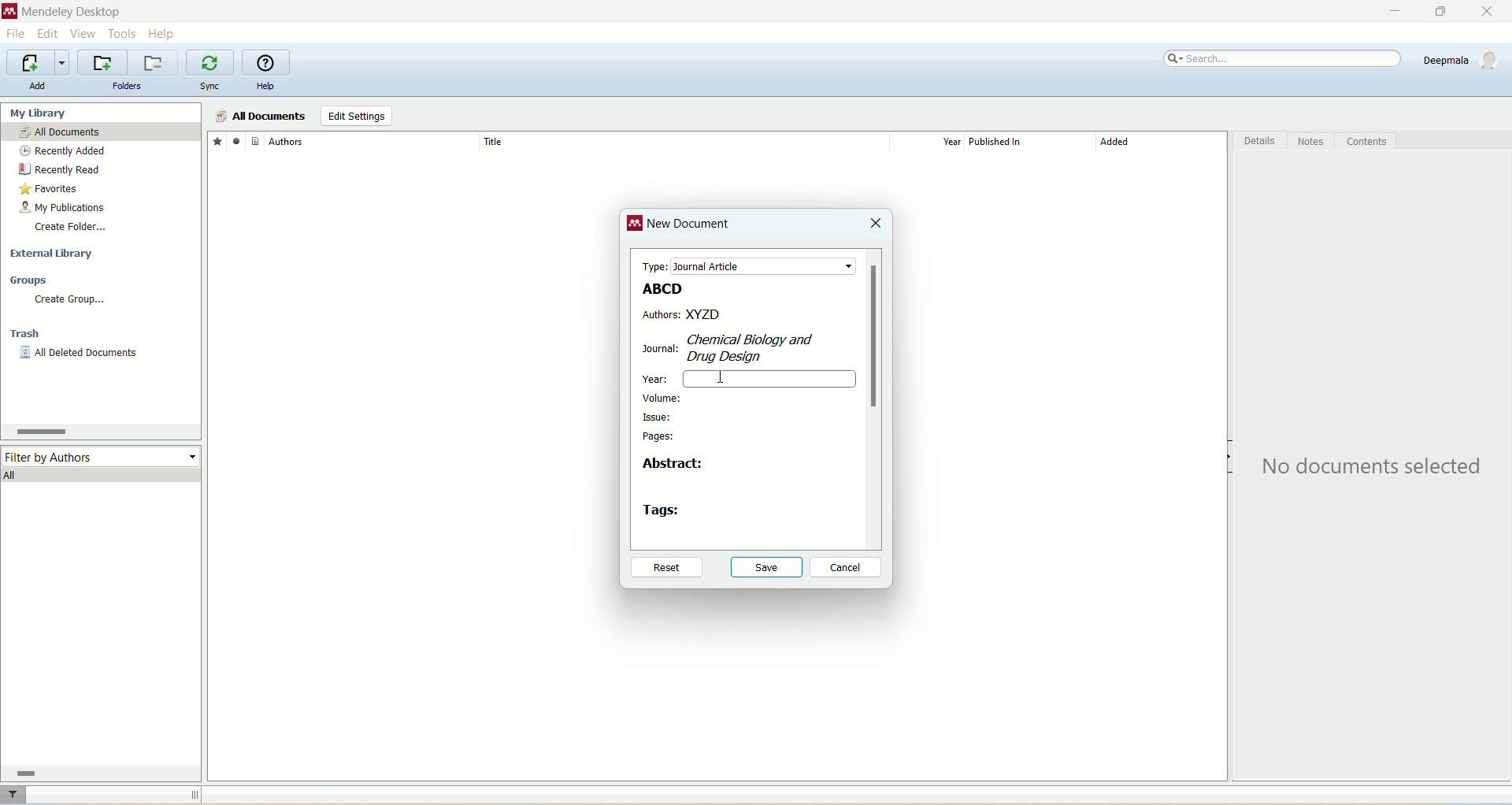 This screenshot has height=805, width=1512. Describe the element at coordinates (659, 438) in the screenshot. I see `pages` at that location.